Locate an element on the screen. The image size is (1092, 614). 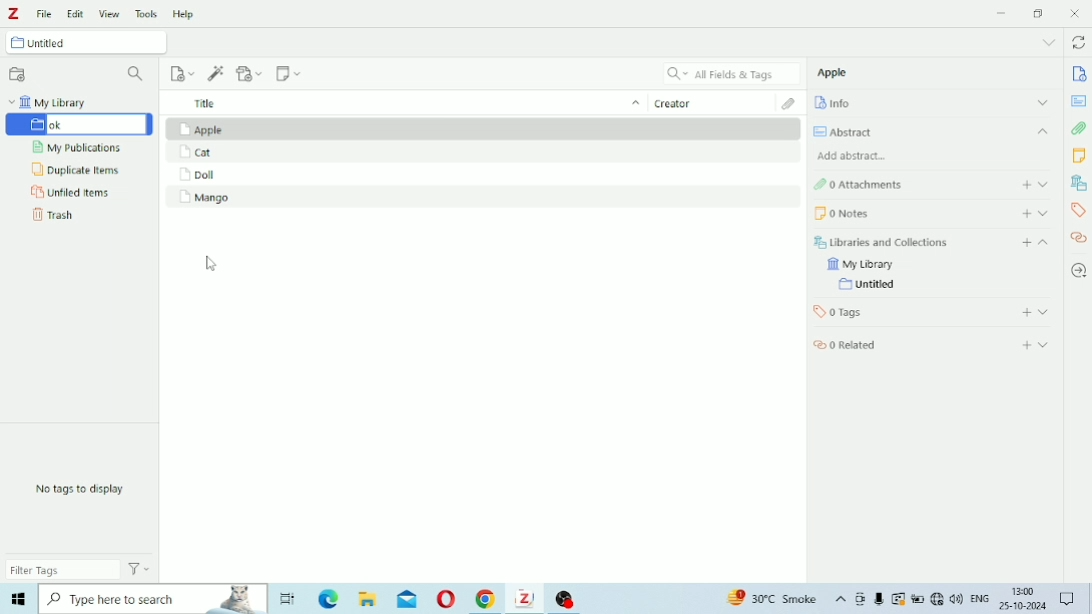
Add is located at coordinates (1027, 213).